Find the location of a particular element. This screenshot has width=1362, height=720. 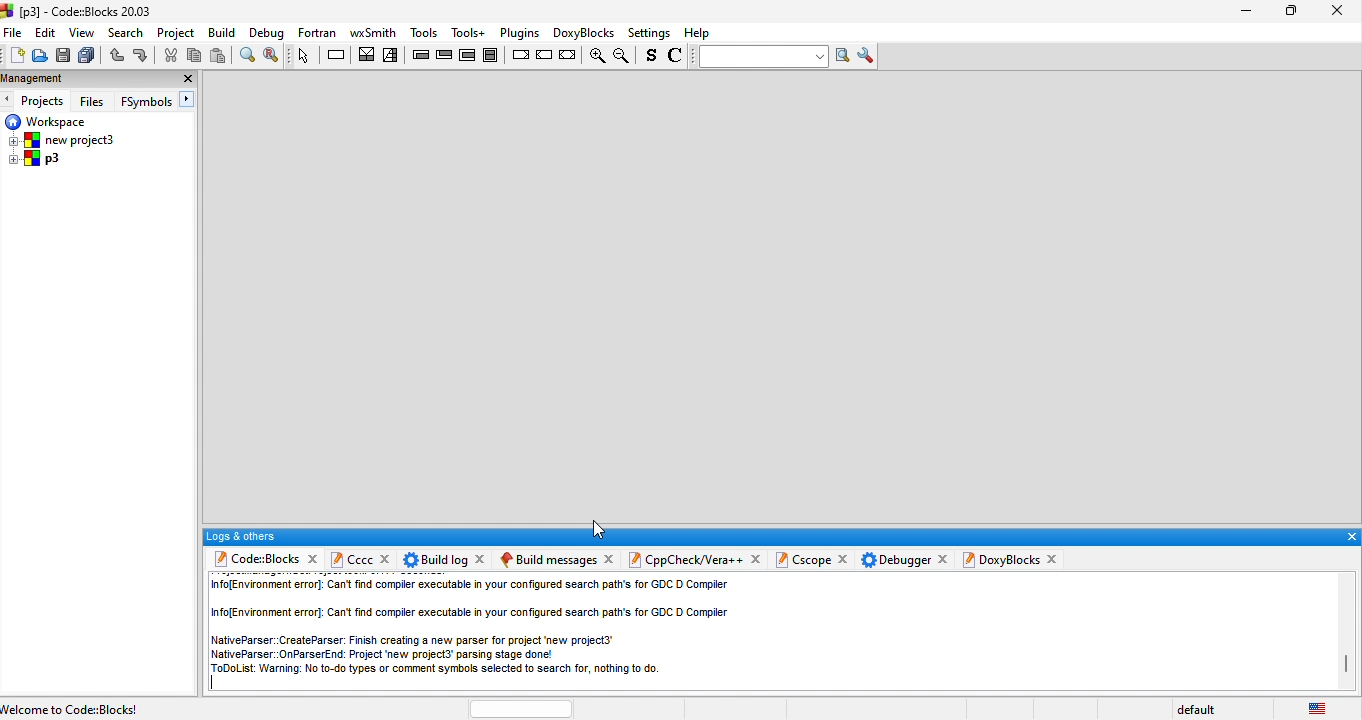

text to search is located at coordinates (761, 56).